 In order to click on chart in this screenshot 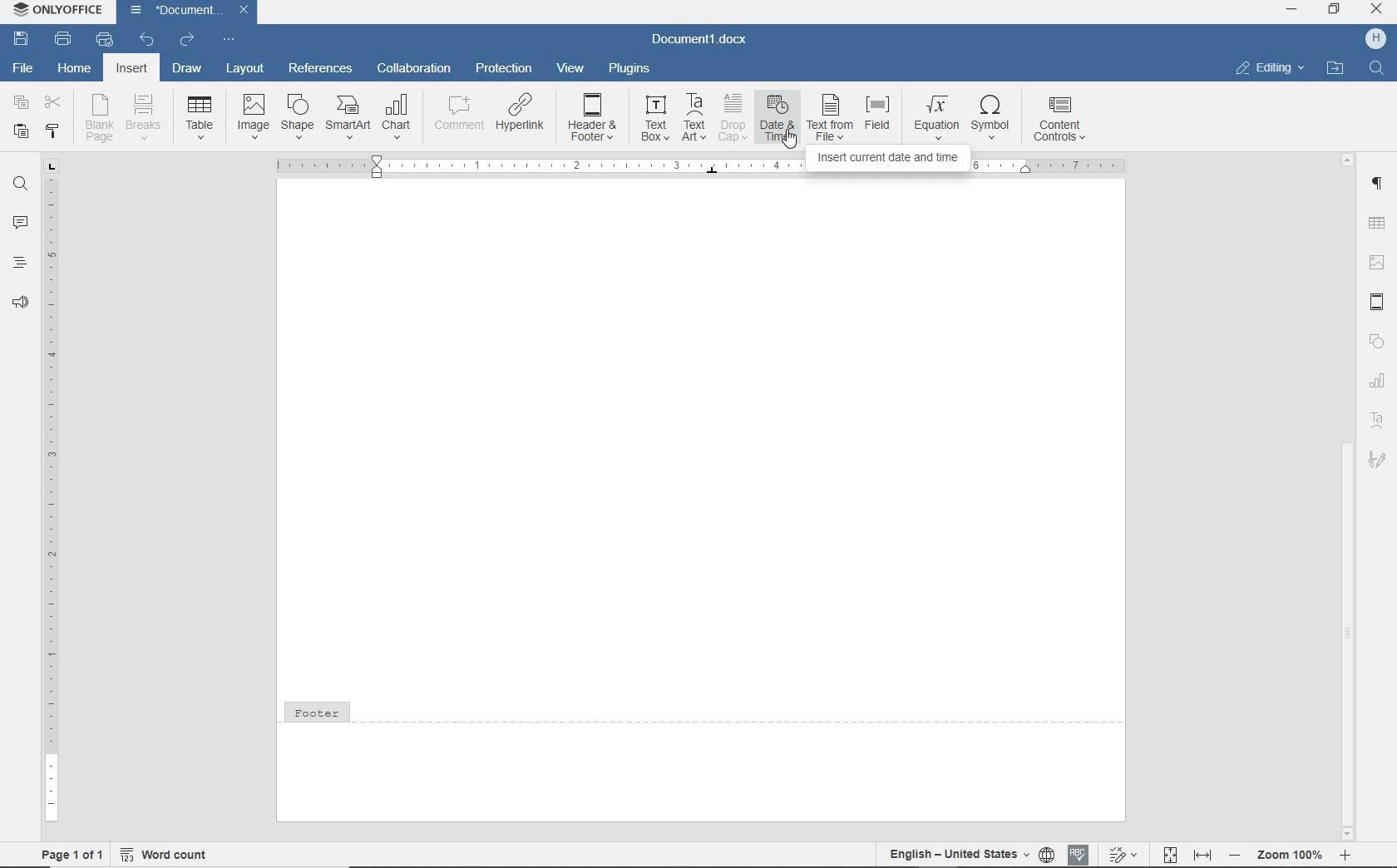, I will do `click(398, 115)`.